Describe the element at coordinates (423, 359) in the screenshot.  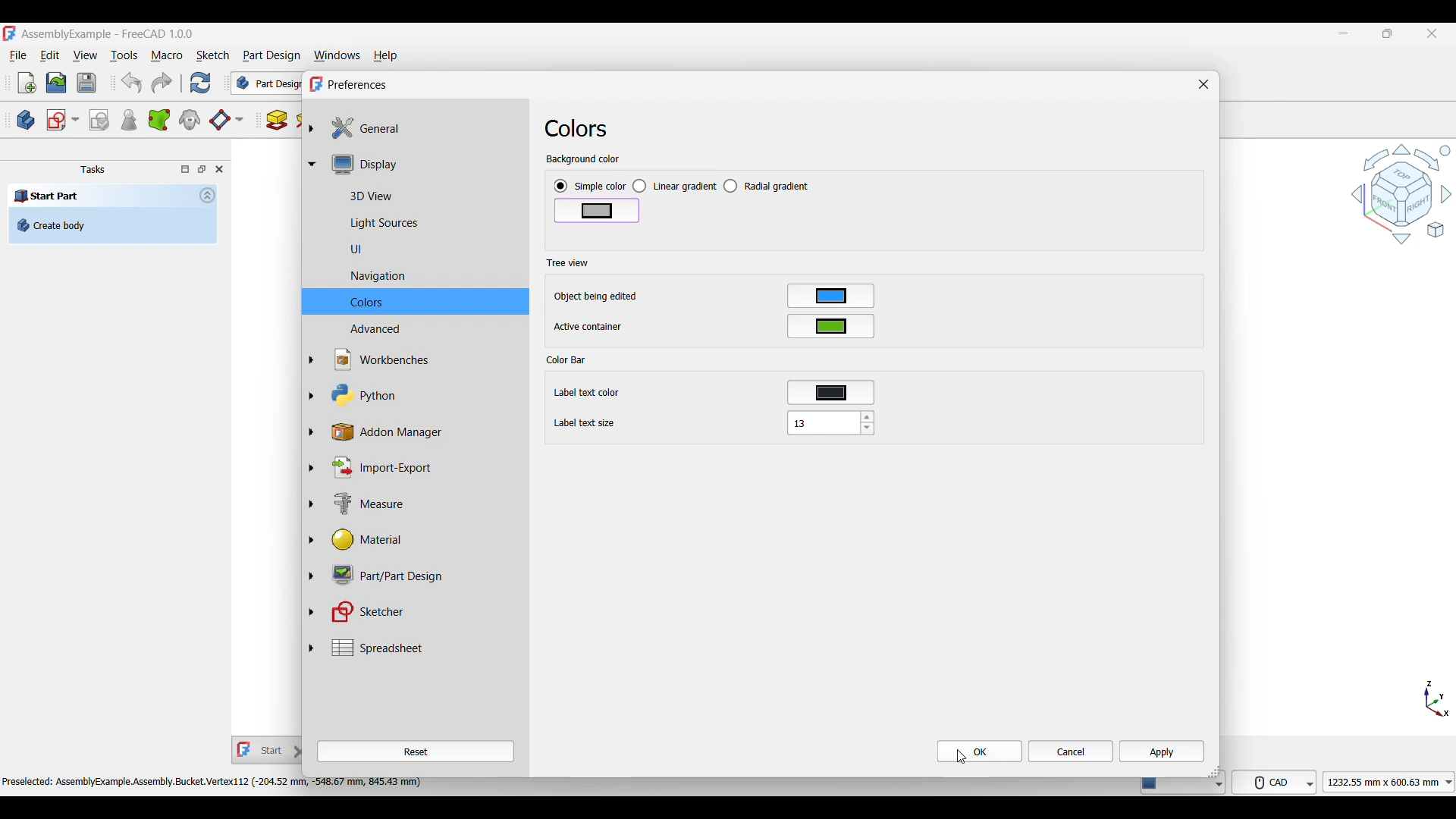
I see `Workbench settings` at that location.